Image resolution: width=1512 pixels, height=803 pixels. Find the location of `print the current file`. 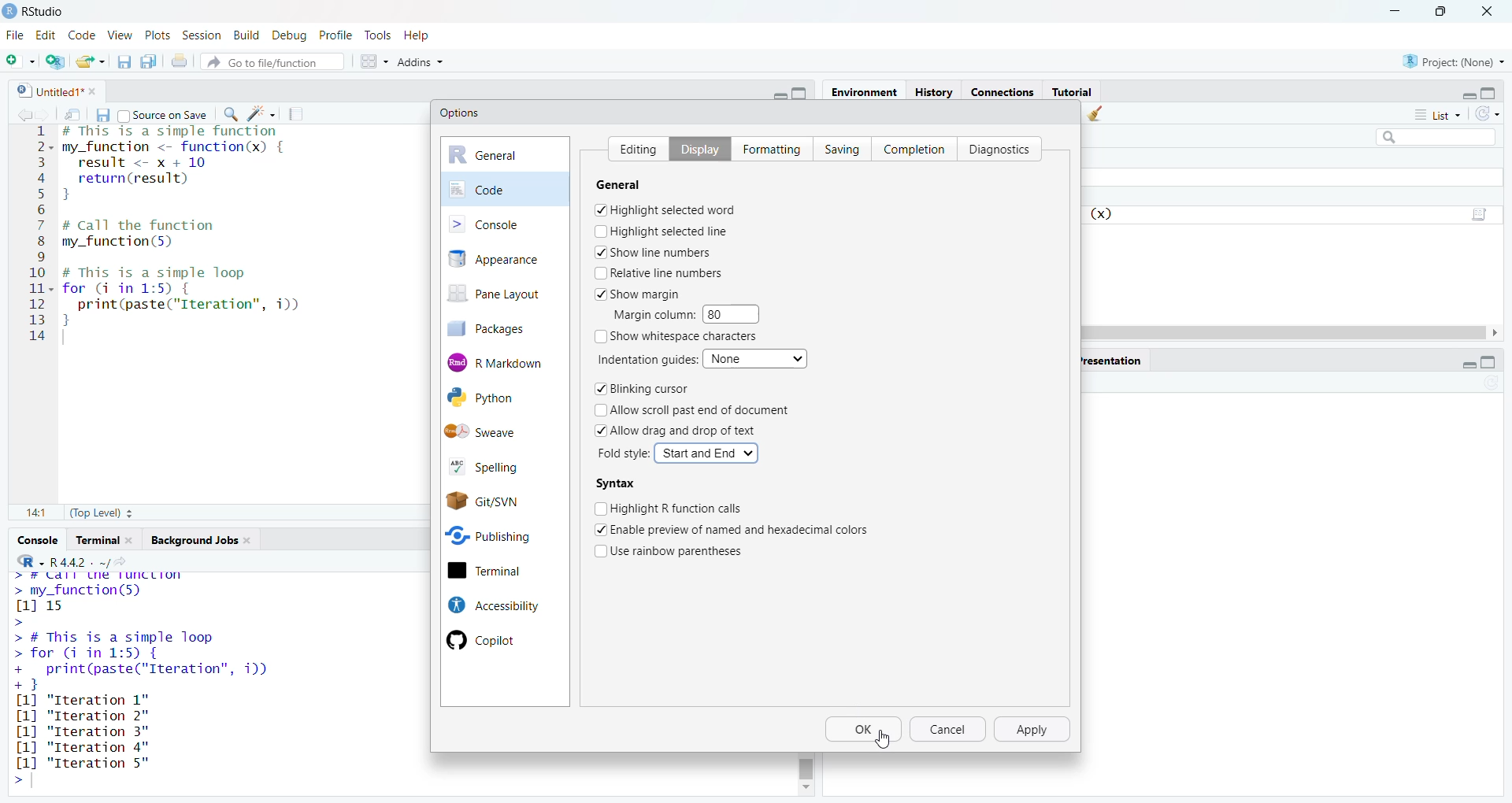

print the current file is located at coordinates (181, 61).